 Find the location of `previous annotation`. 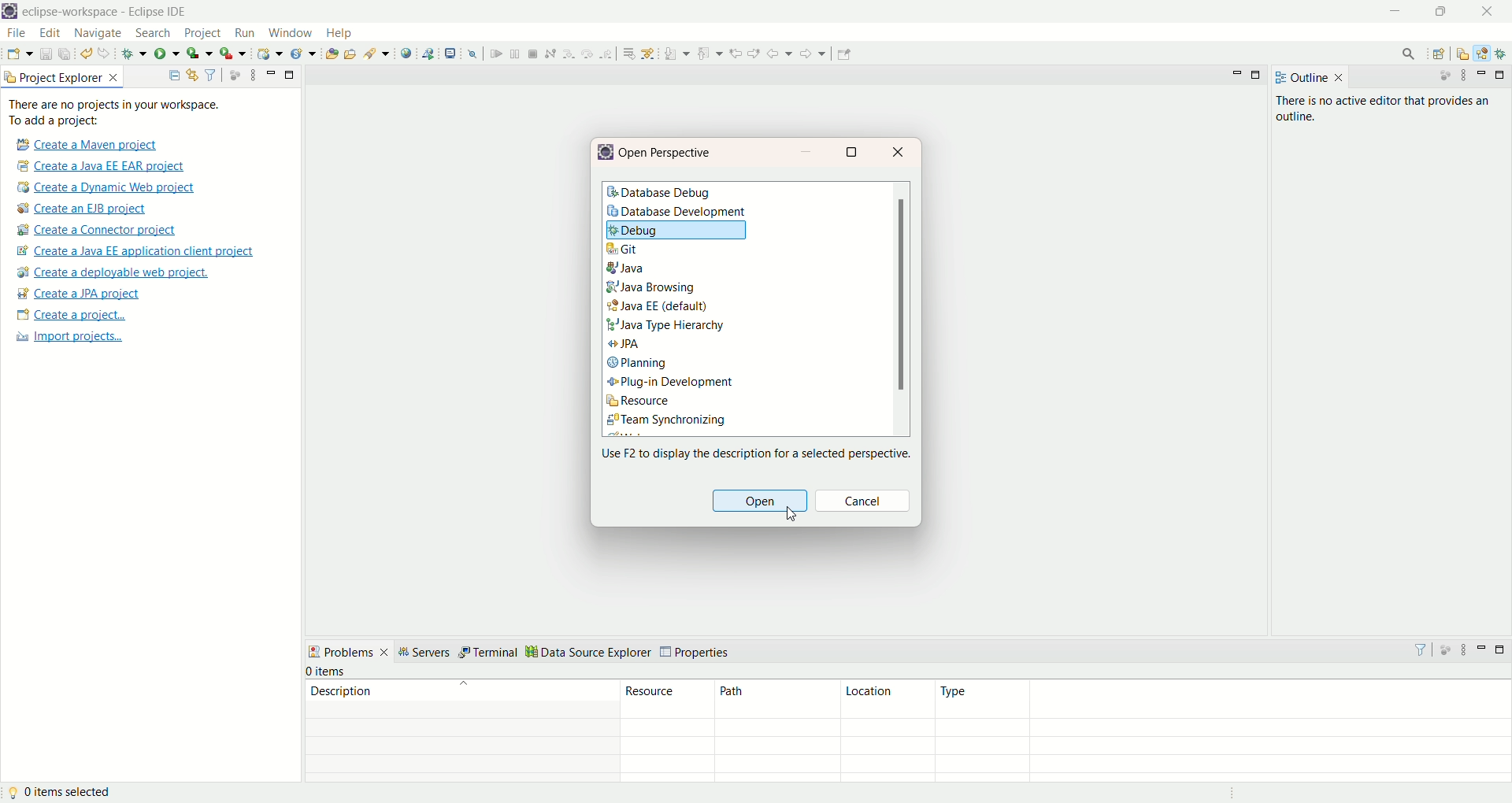

previous annotation is located at coordinates (710, 54).